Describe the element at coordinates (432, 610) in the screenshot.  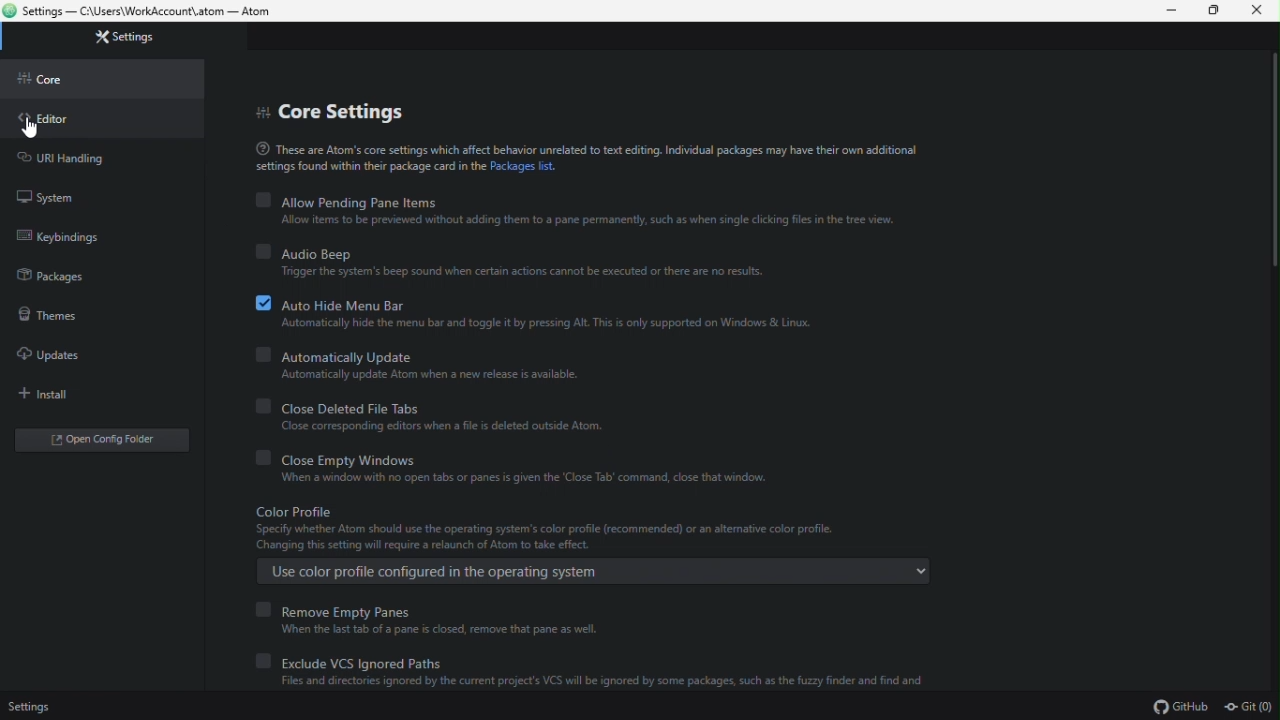
I see ` remove empty pane` at that location.